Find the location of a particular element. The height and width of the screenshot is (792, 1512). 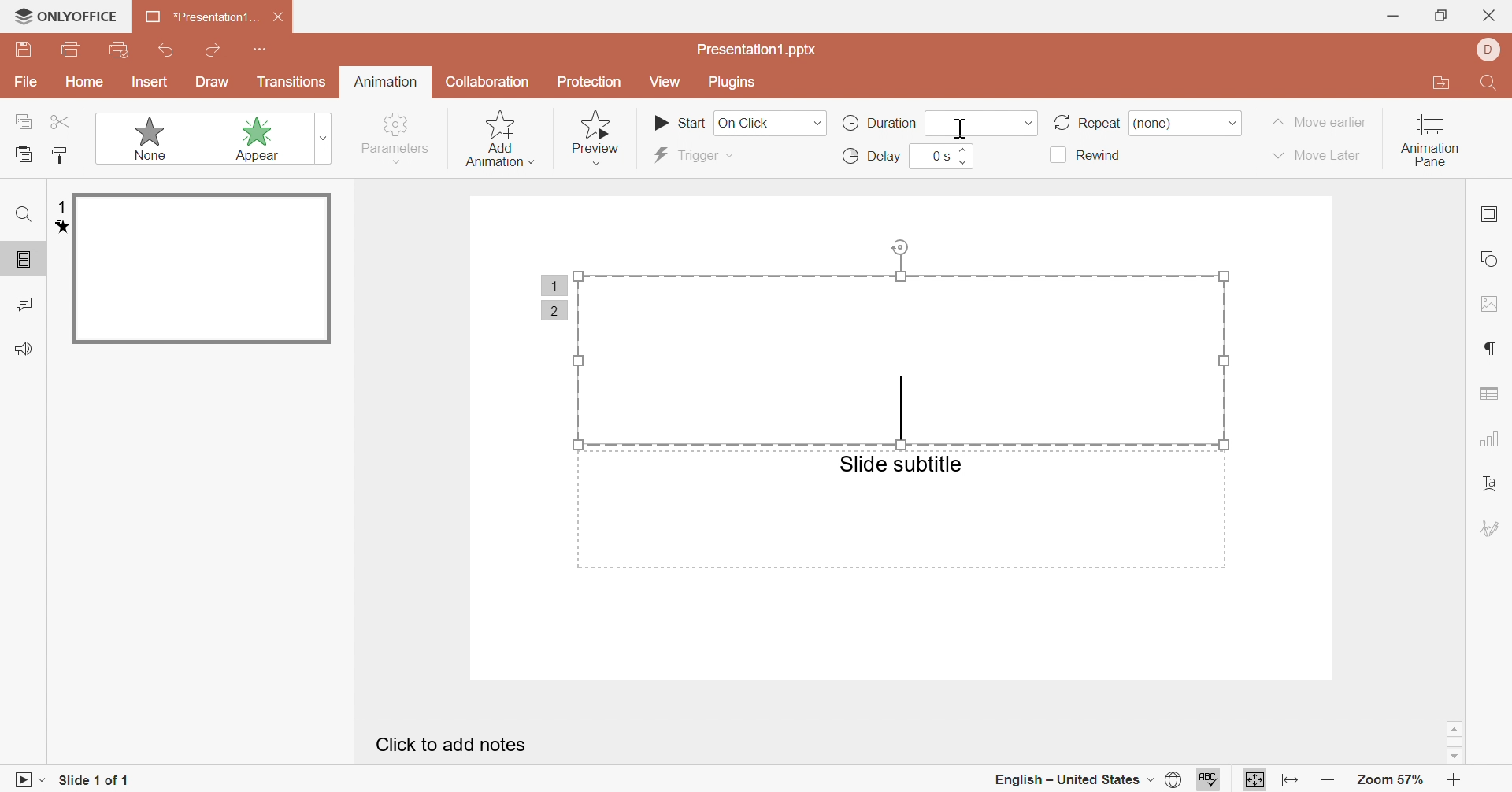

comments is located at coordinates (23, 302).